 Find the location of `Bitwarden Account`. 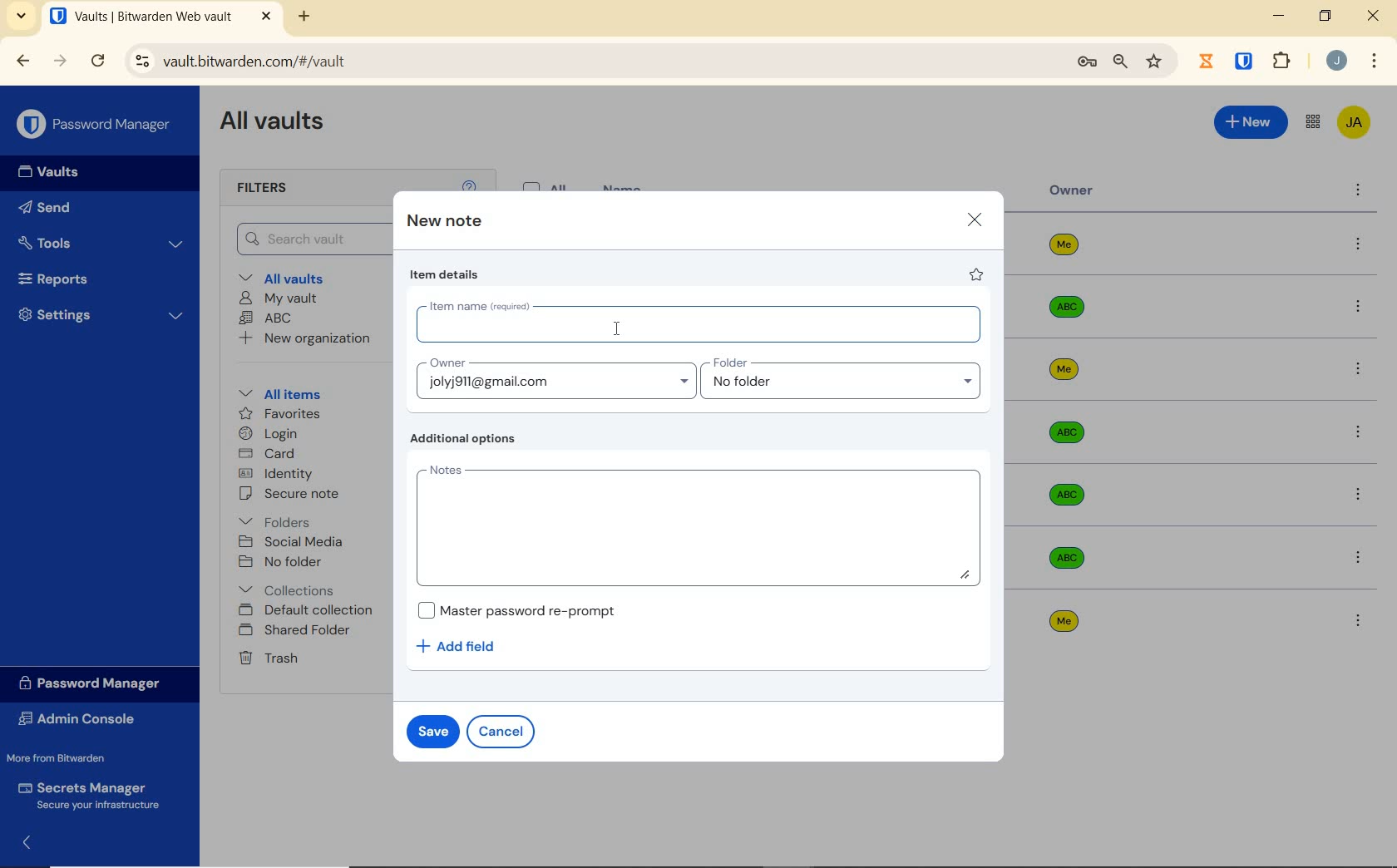

Bitwarden Account is located at coordinates (1353, 121).